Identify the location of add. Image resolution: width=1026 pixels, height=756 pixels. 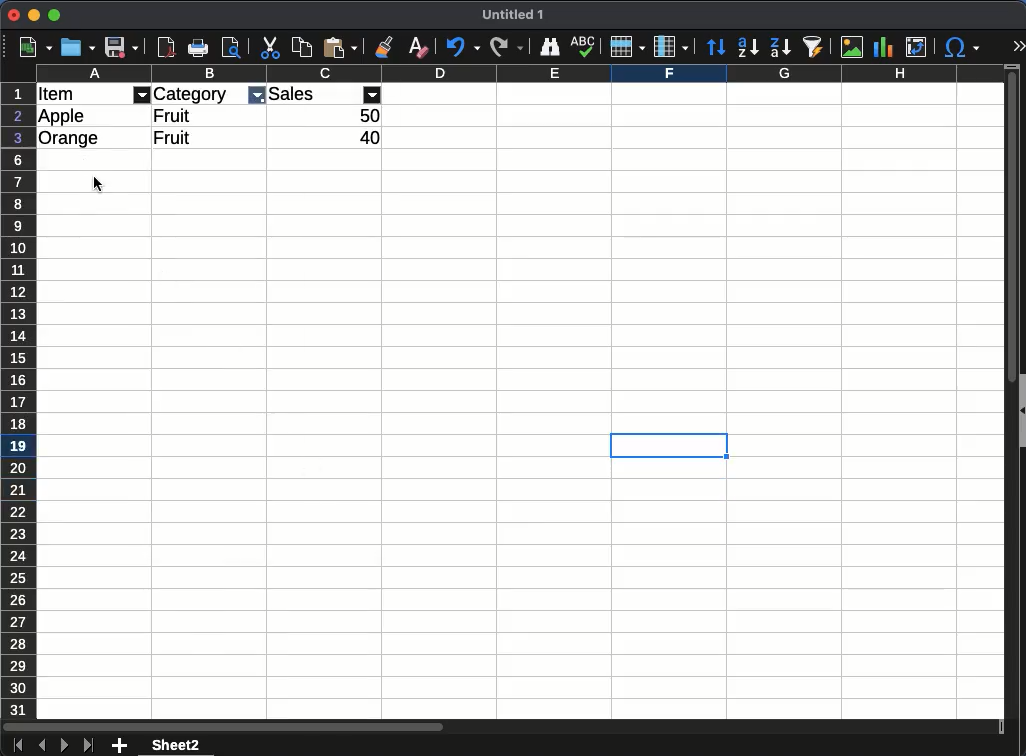
(119, 746).